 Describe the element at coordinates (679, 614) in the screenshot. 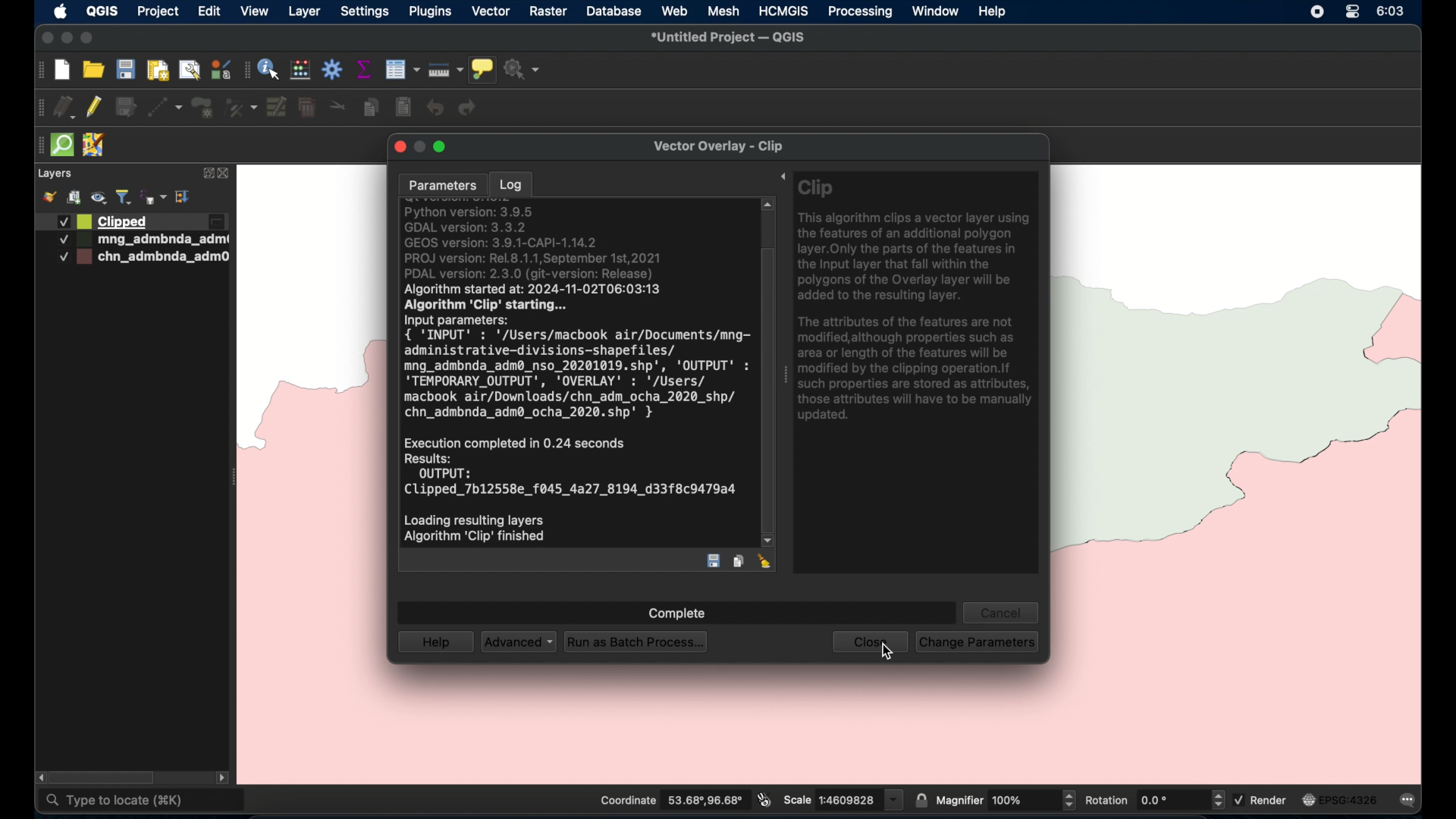

I see `complete` at that location.